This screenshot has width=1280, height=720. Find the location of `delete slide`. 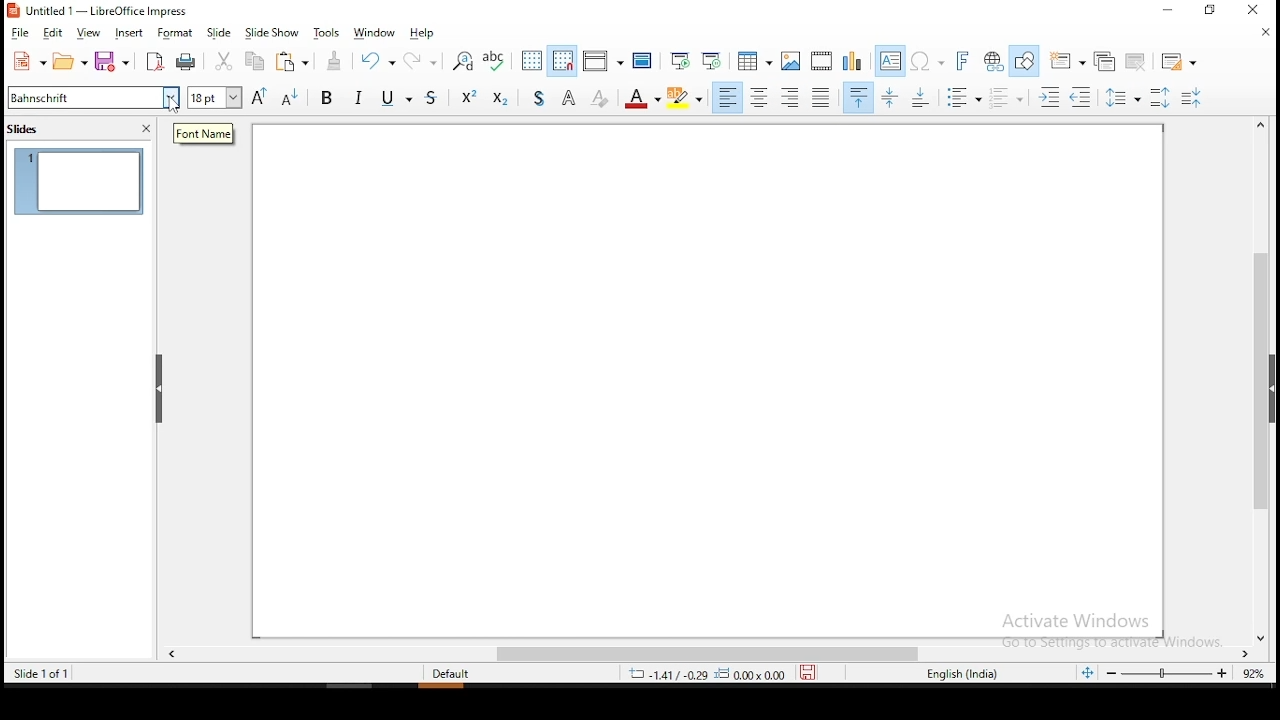

delete slide is located at coordinates (1135, 63).